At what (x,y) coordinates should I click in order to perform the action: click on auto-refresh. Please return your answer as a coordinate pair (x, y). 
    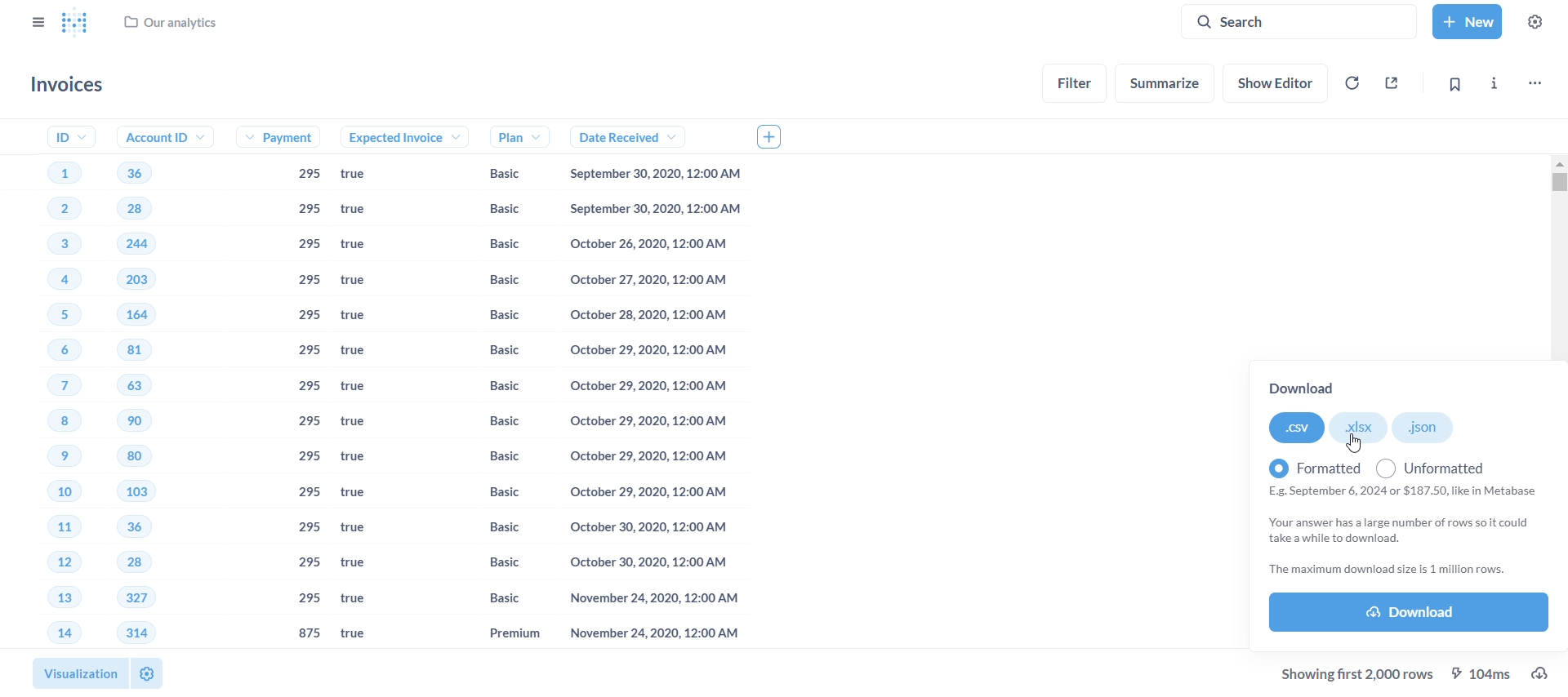
    Looking at the image, I should click on (1351, 82).